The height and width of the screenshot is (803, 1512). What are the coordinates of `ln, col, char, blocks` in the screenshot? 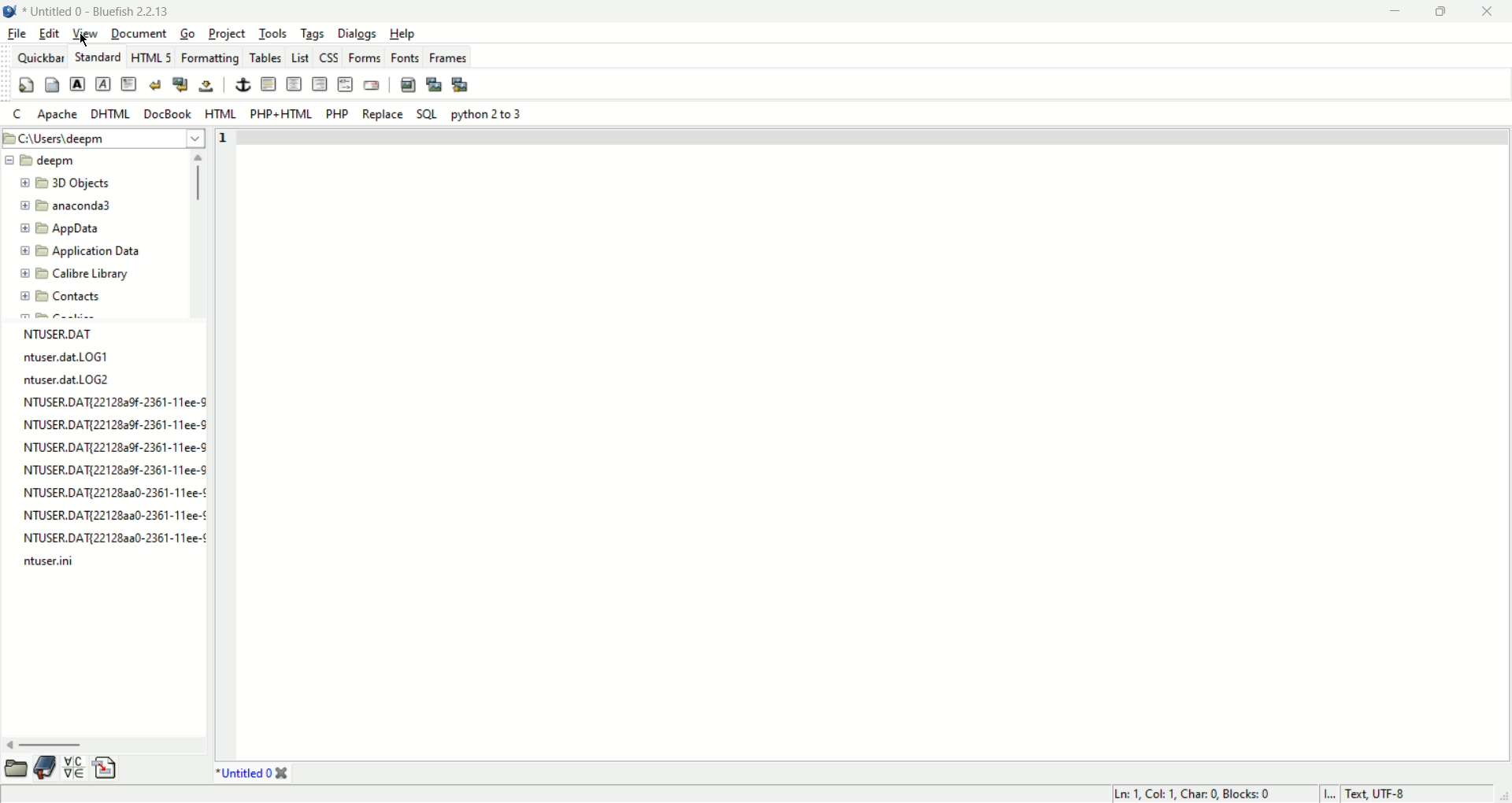 It's located at (1194, 794).